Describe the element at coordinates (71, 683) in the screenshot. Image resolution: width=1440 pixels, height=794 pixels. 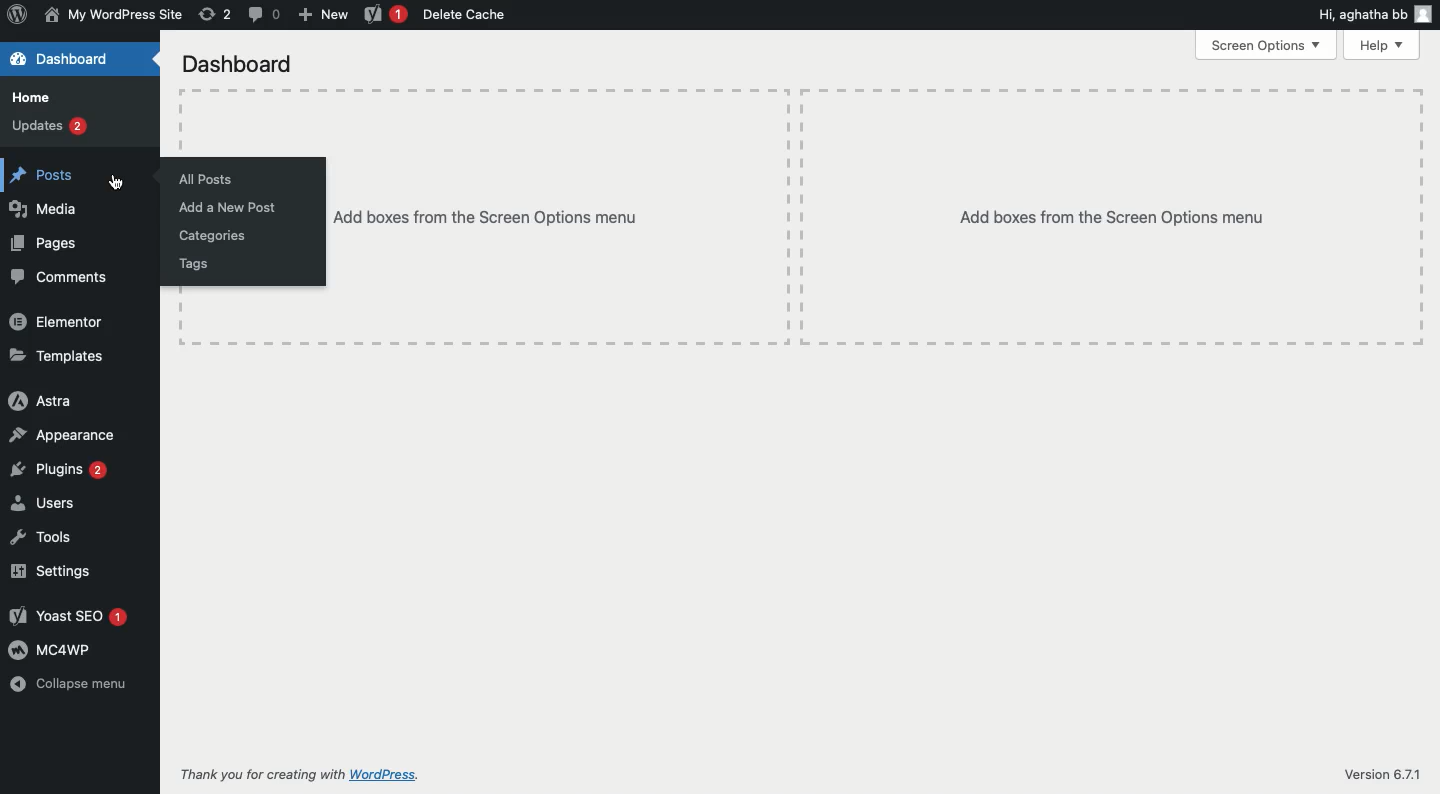
I see `Collapse menu` at that location.